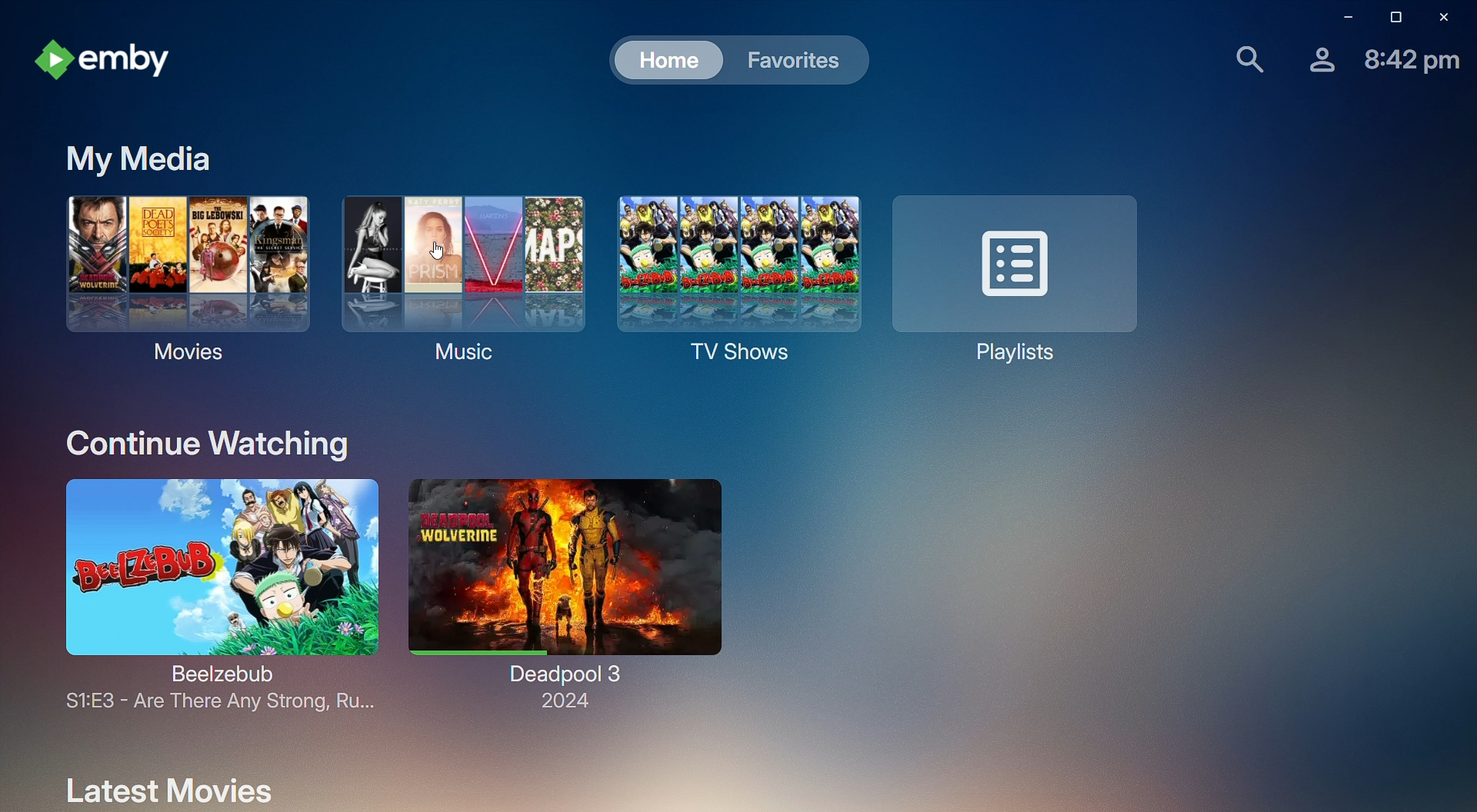  Describe the element at coordinates (164, 788) in the screenshot. I see `Latest Movies` at that location.